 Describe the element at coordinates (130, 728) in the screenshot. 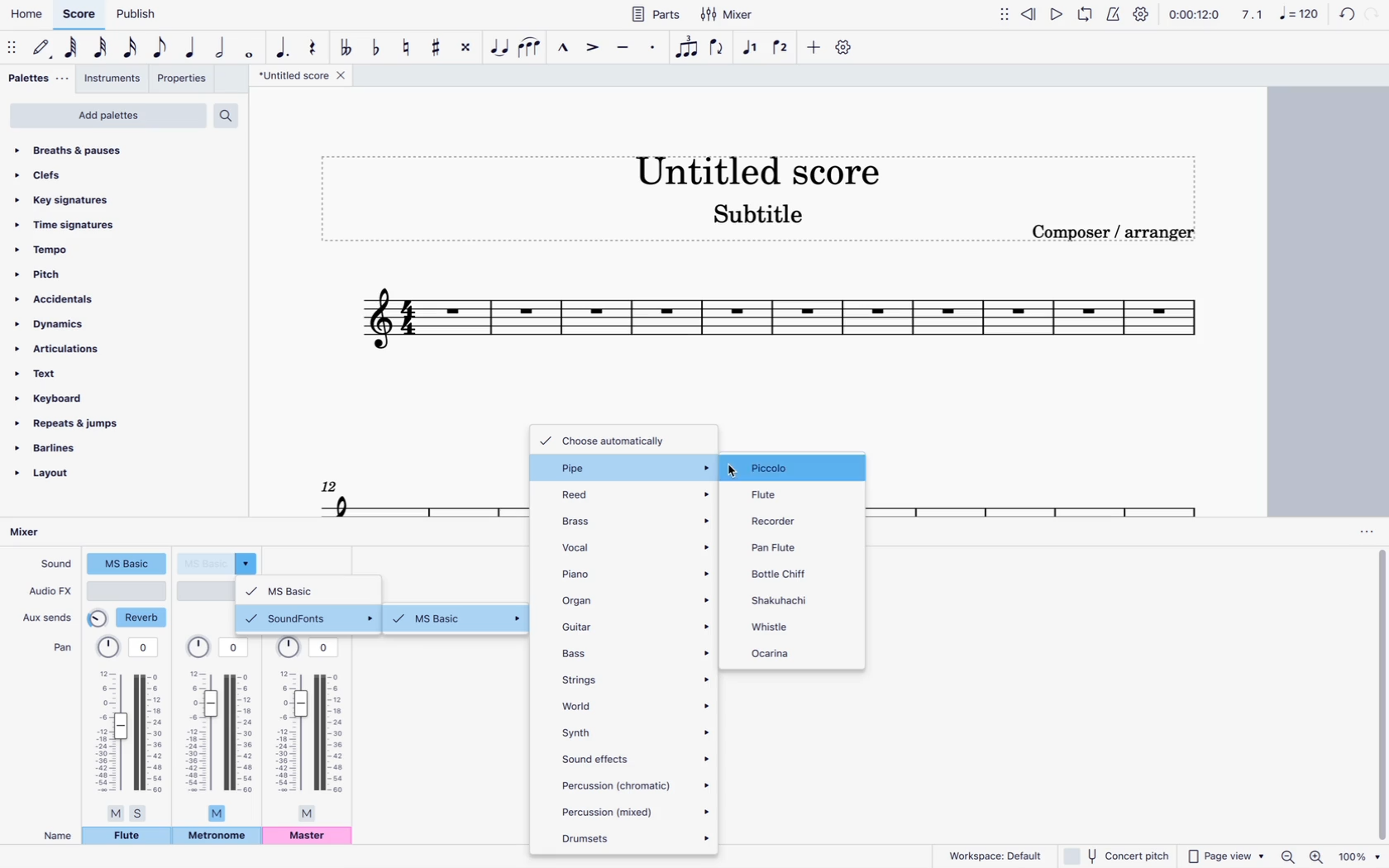

I see `pan` at that location.